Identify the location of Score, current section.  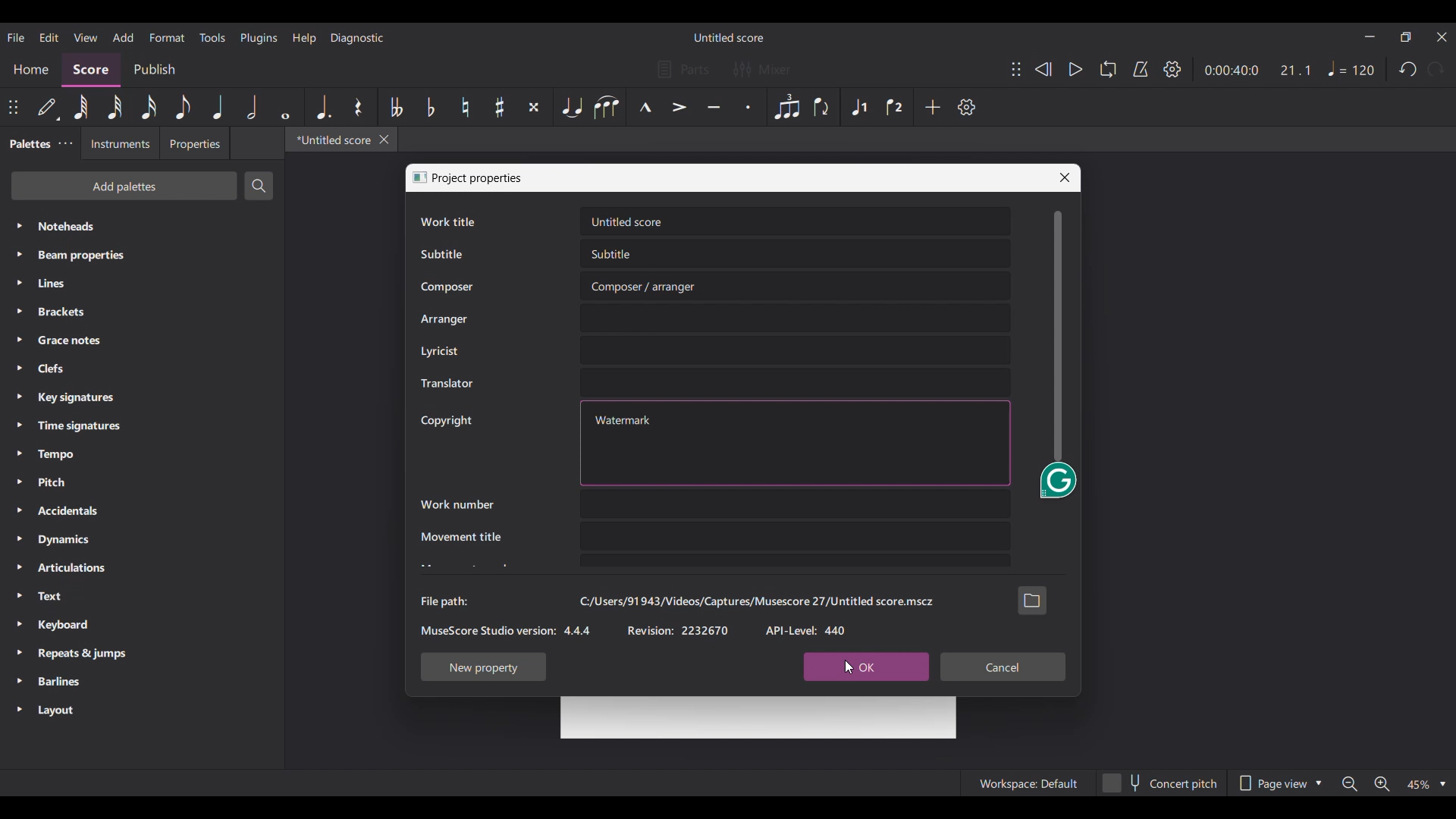
(92, 70).